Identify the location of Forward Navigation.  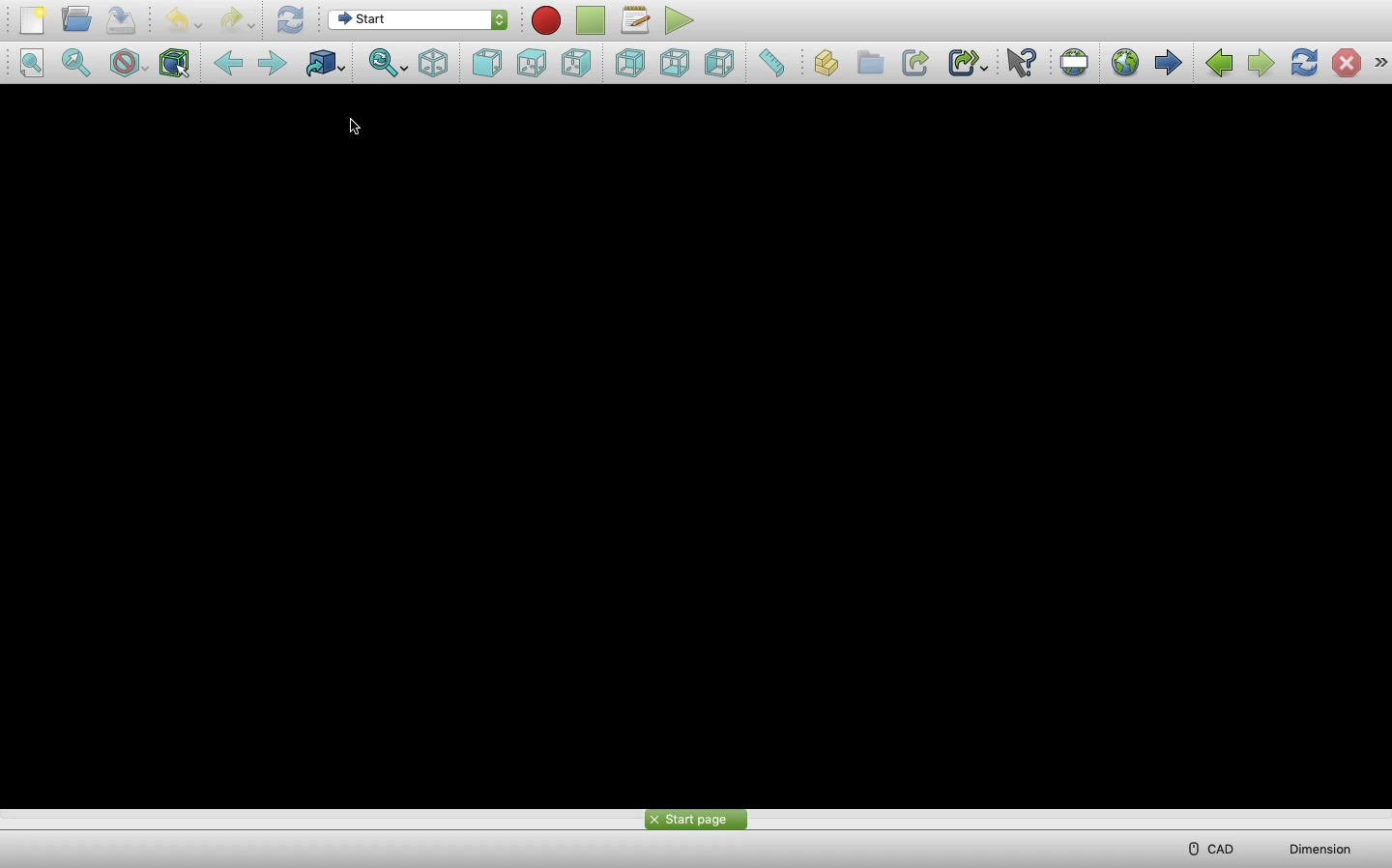
(1259, 63).